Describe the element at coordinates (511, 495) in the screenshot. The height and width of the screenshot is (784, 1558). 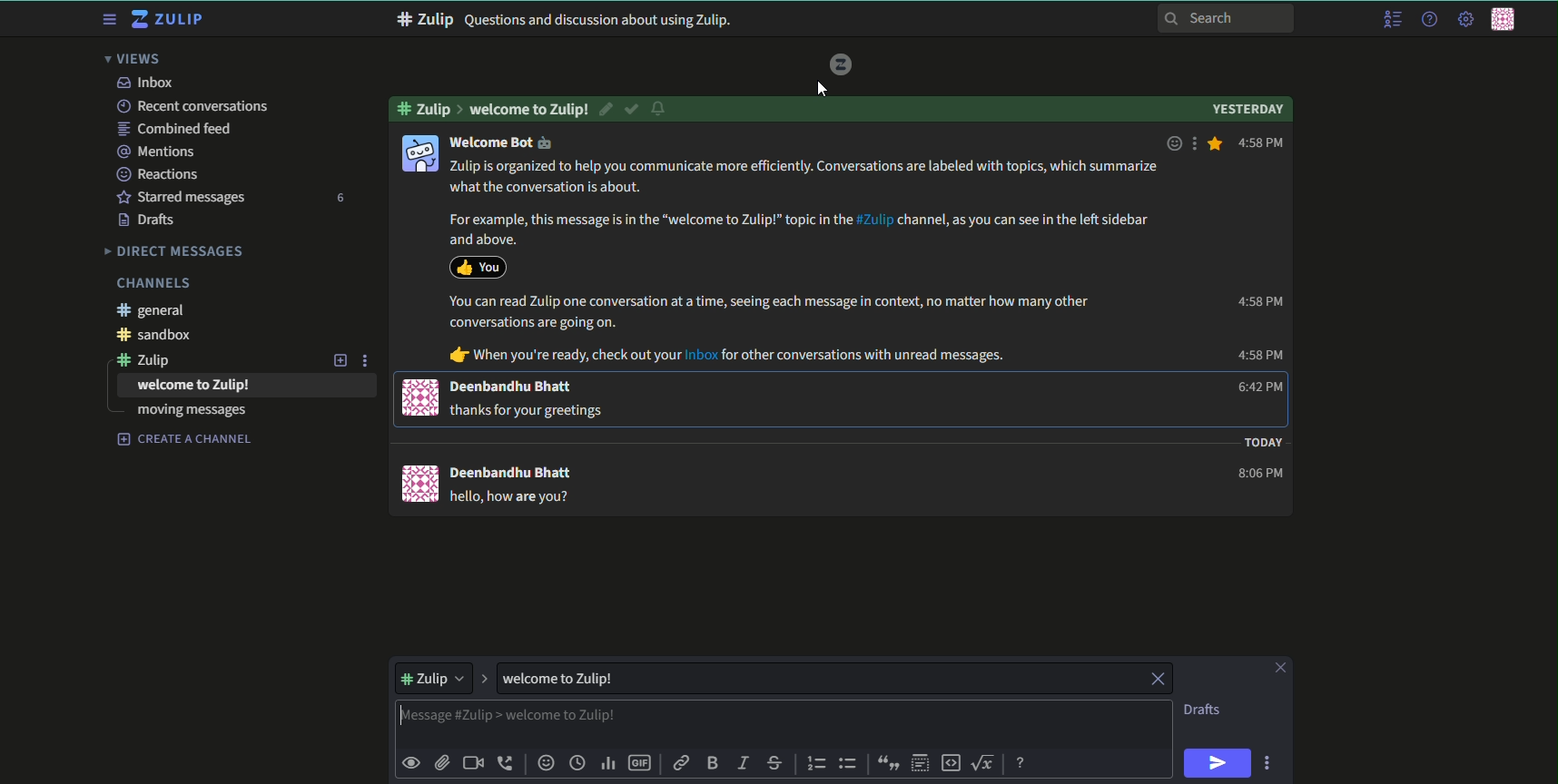
I see `hello, how are you?` at that location.